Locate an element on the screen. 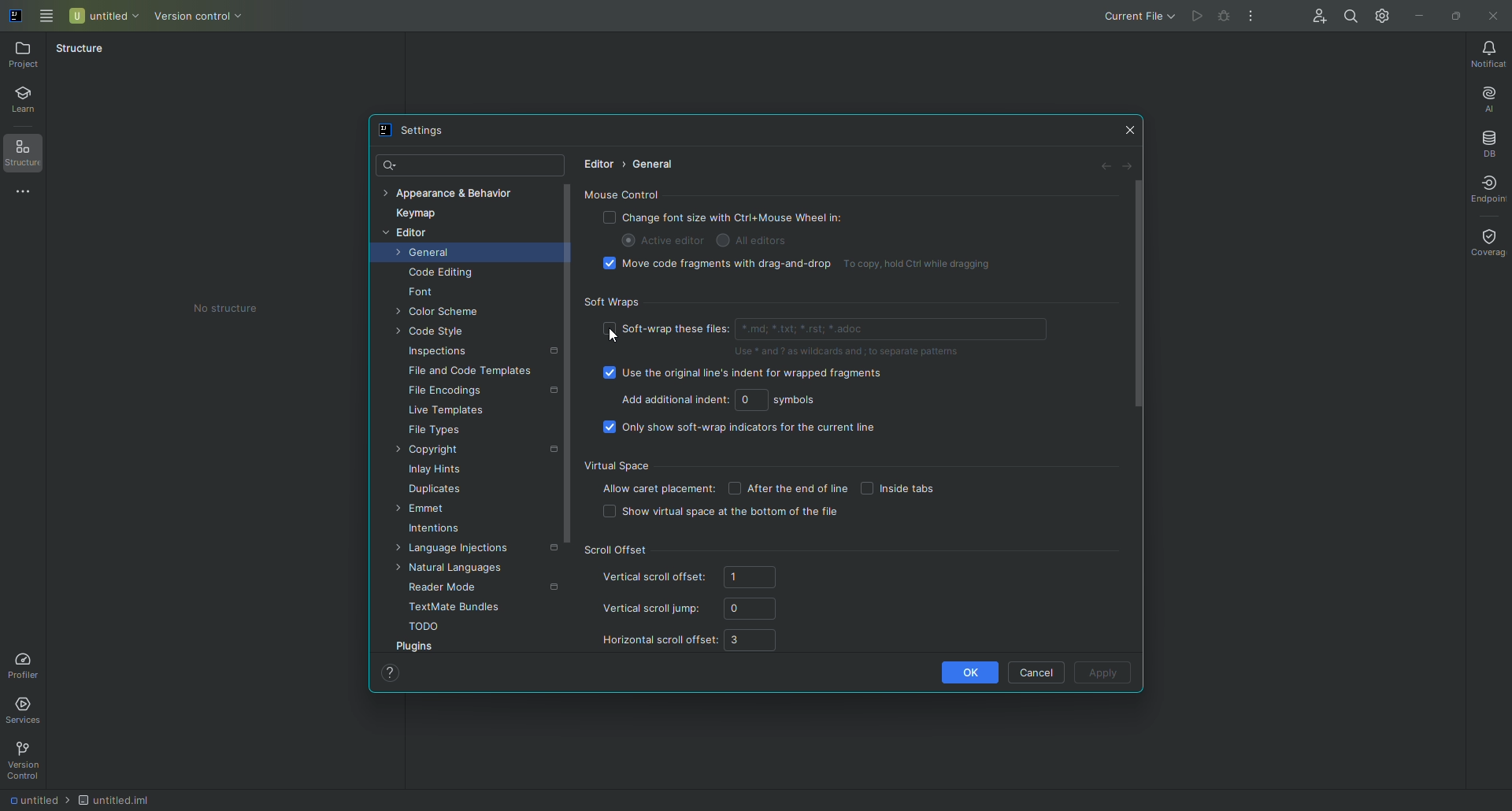 The height and width of the screenshot is (811, 1512). Scroll offset is located at coordinates (615, 550).